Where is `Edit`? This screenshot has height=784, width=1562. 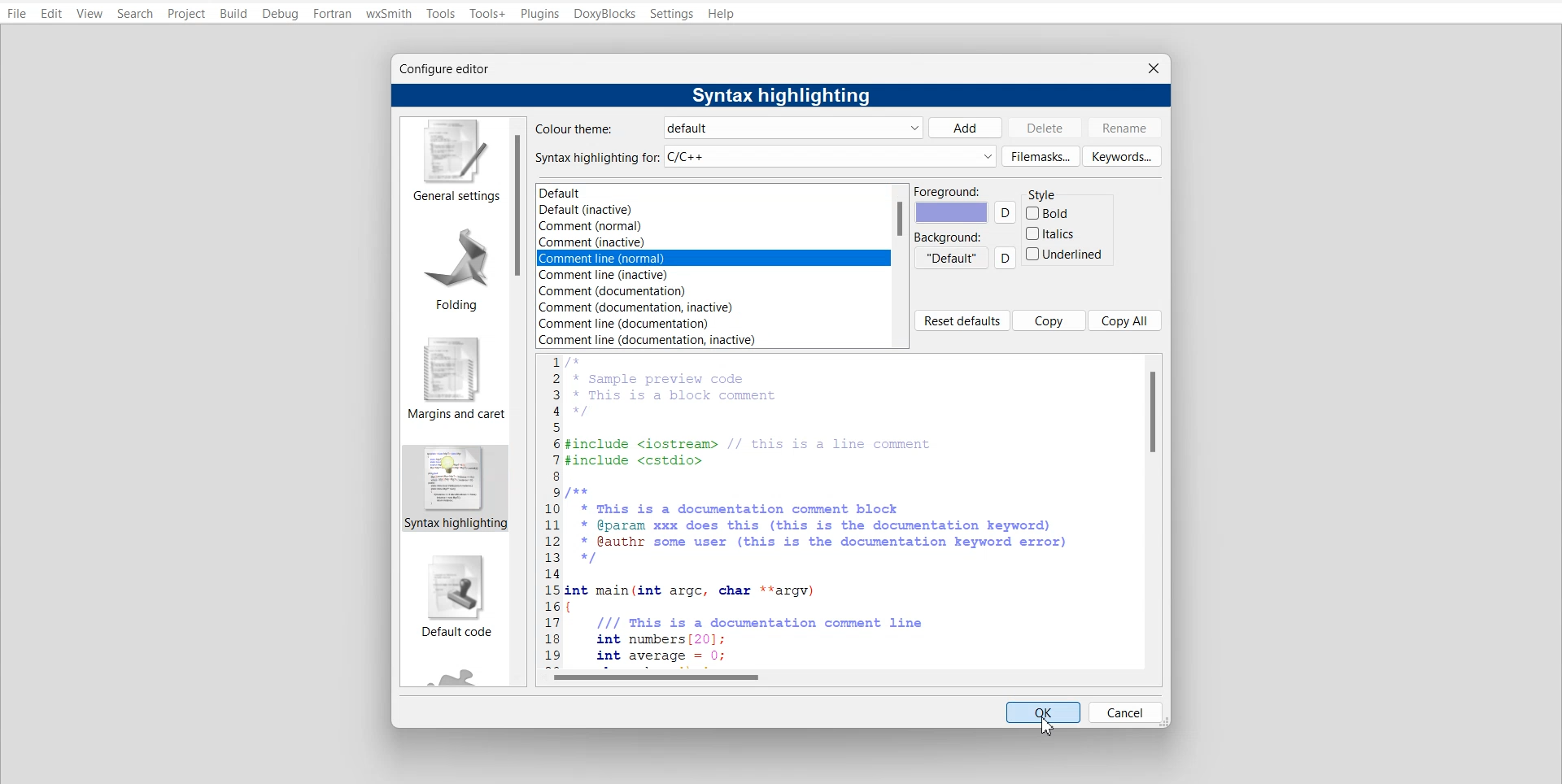 Edit is located at coordinates (51, 14).